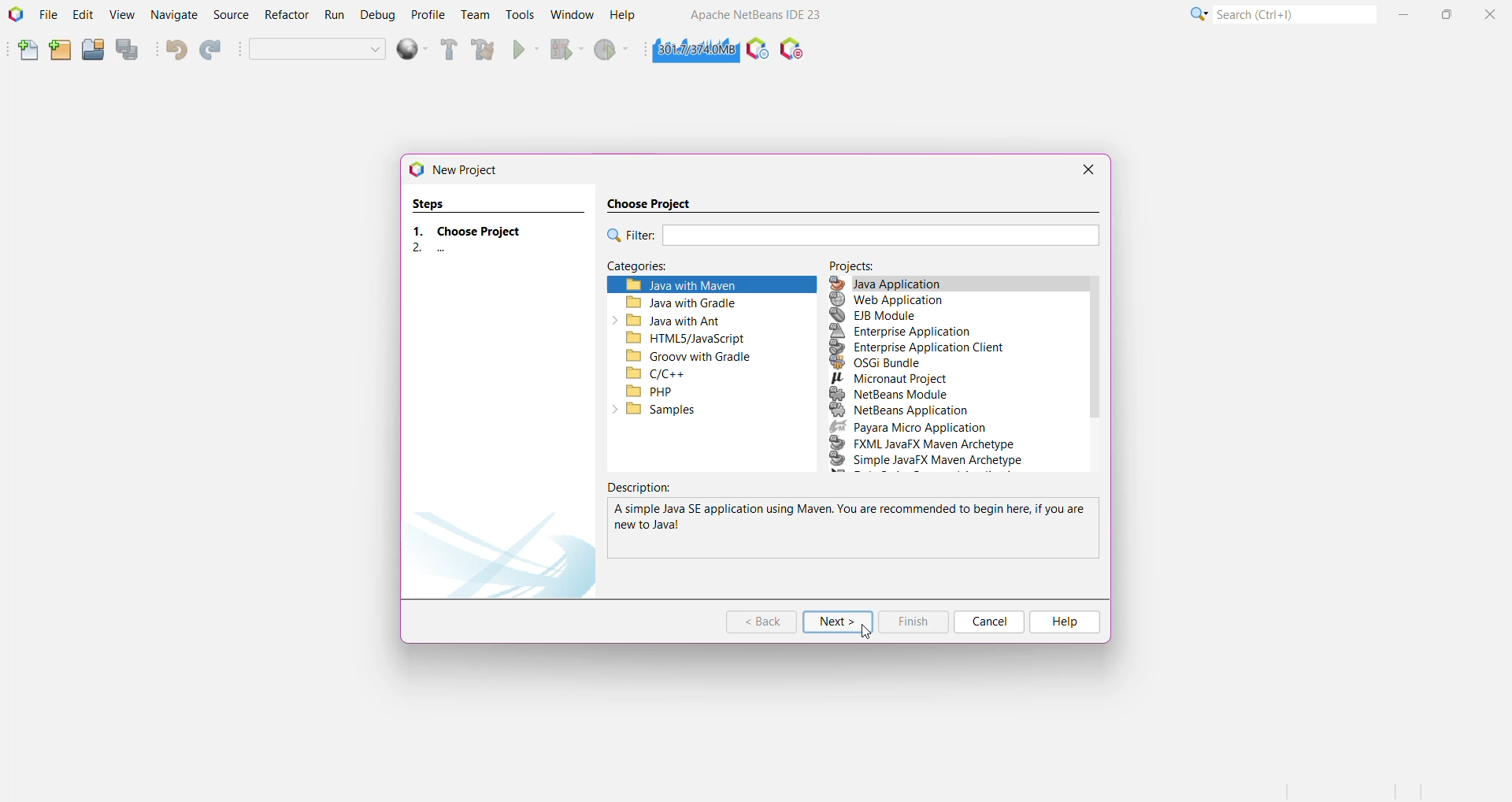 Image resolution: width=1512 pixels, height=802 pixels. What do you see at coordinates (708, 411) in the screenshot?
I see `Samples` at bounding box center [708, 411].